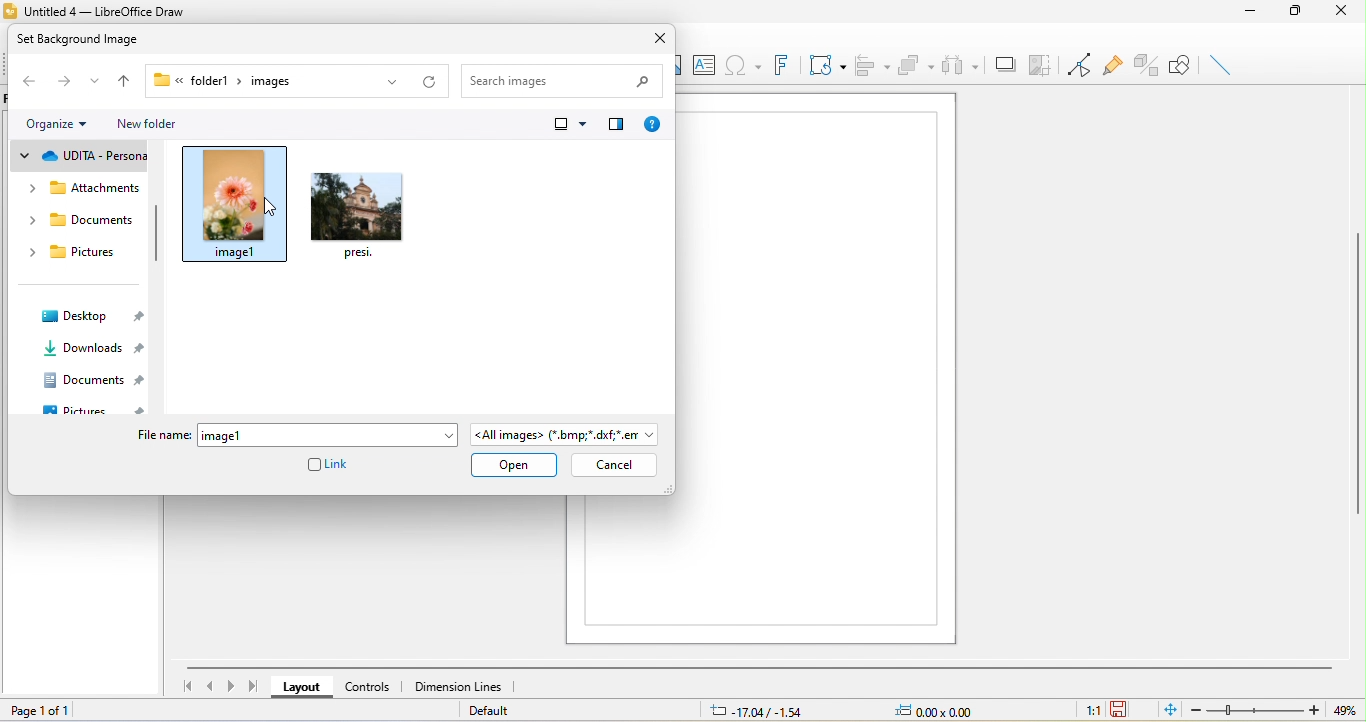 The width and height of the screenshot is (1366, 722). I want to click on breadcrumbs link, so click(222, 82).